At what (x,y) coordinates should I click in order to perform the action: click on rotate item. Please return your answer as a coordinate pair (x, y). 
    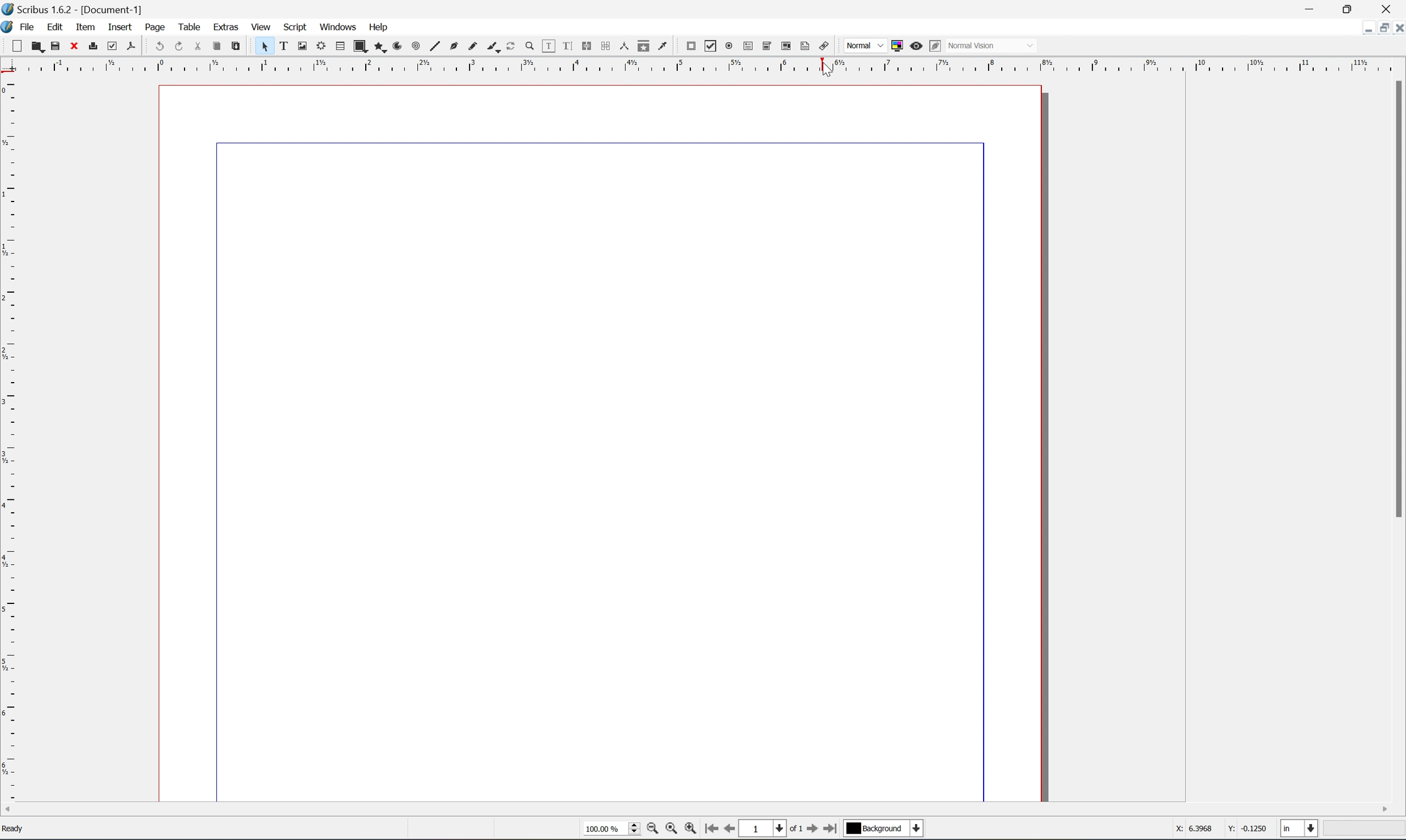
    Looking at the image, I should click on (512, 46).